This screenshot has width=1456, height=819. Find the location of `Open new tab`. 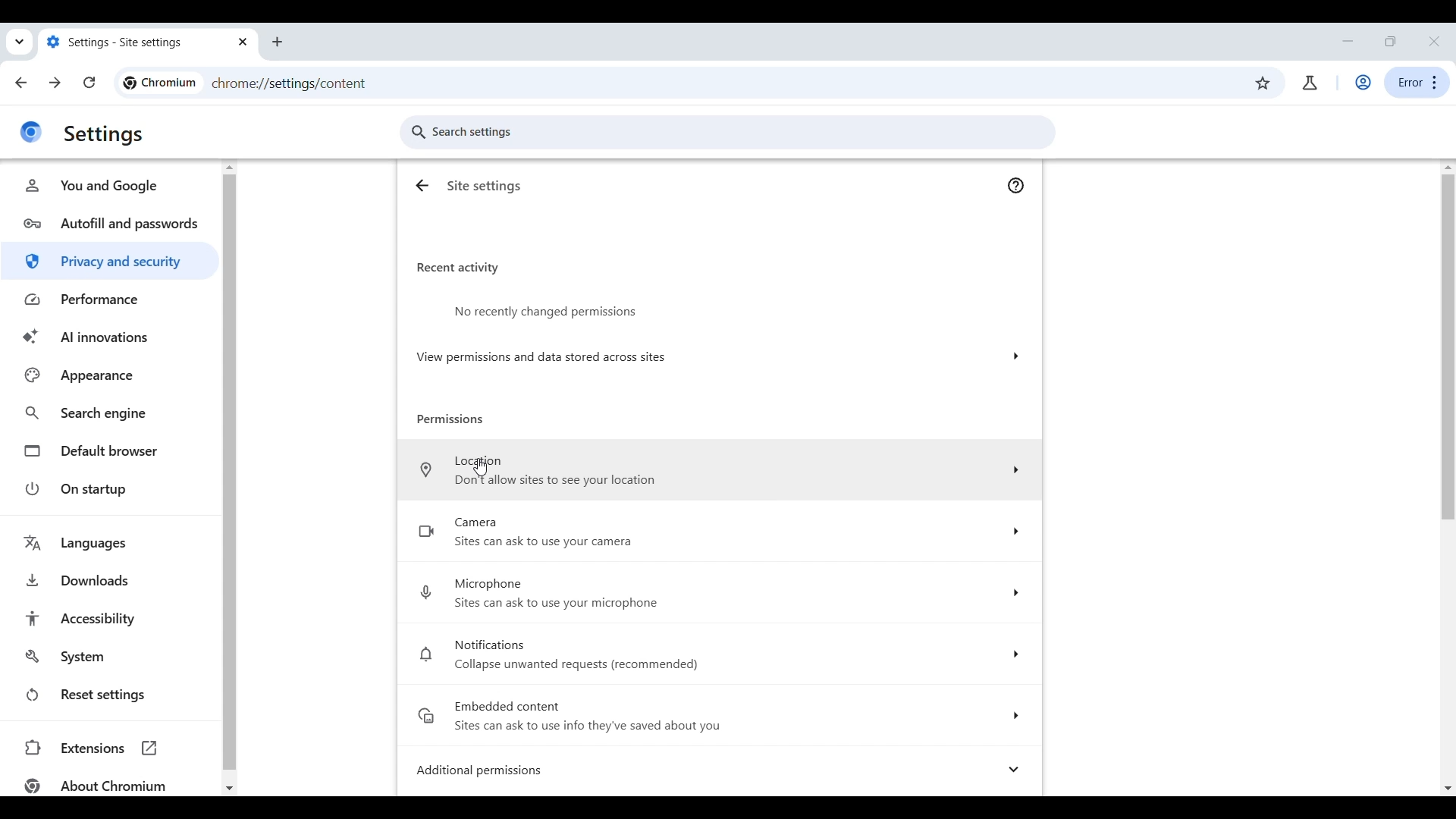

Open new tab is located at coordinates (278, 42).